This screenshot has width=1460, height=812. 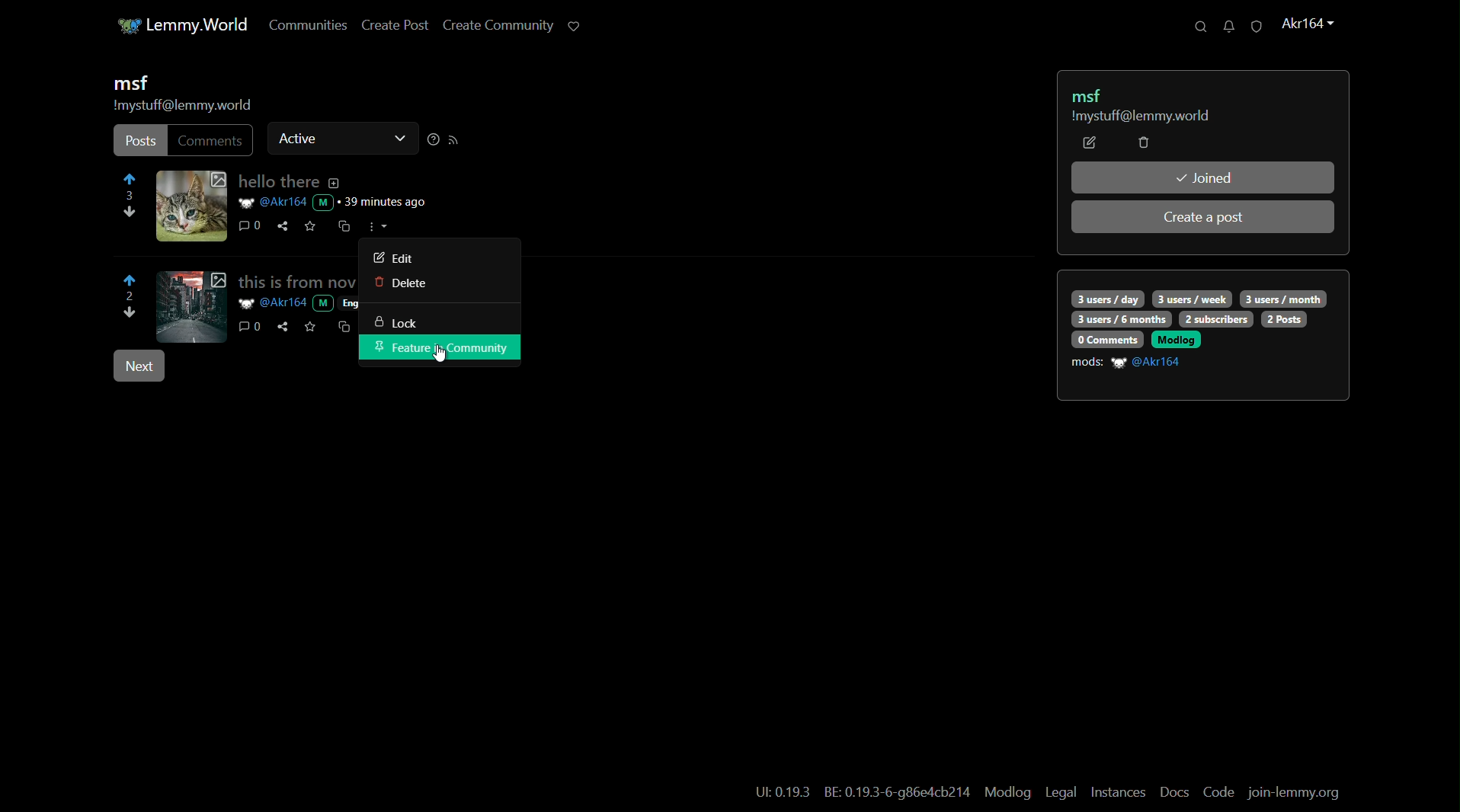 What do you see at coordinates (138, 367) in the screenshot?
I see `next` at bounding box center [138, 367].